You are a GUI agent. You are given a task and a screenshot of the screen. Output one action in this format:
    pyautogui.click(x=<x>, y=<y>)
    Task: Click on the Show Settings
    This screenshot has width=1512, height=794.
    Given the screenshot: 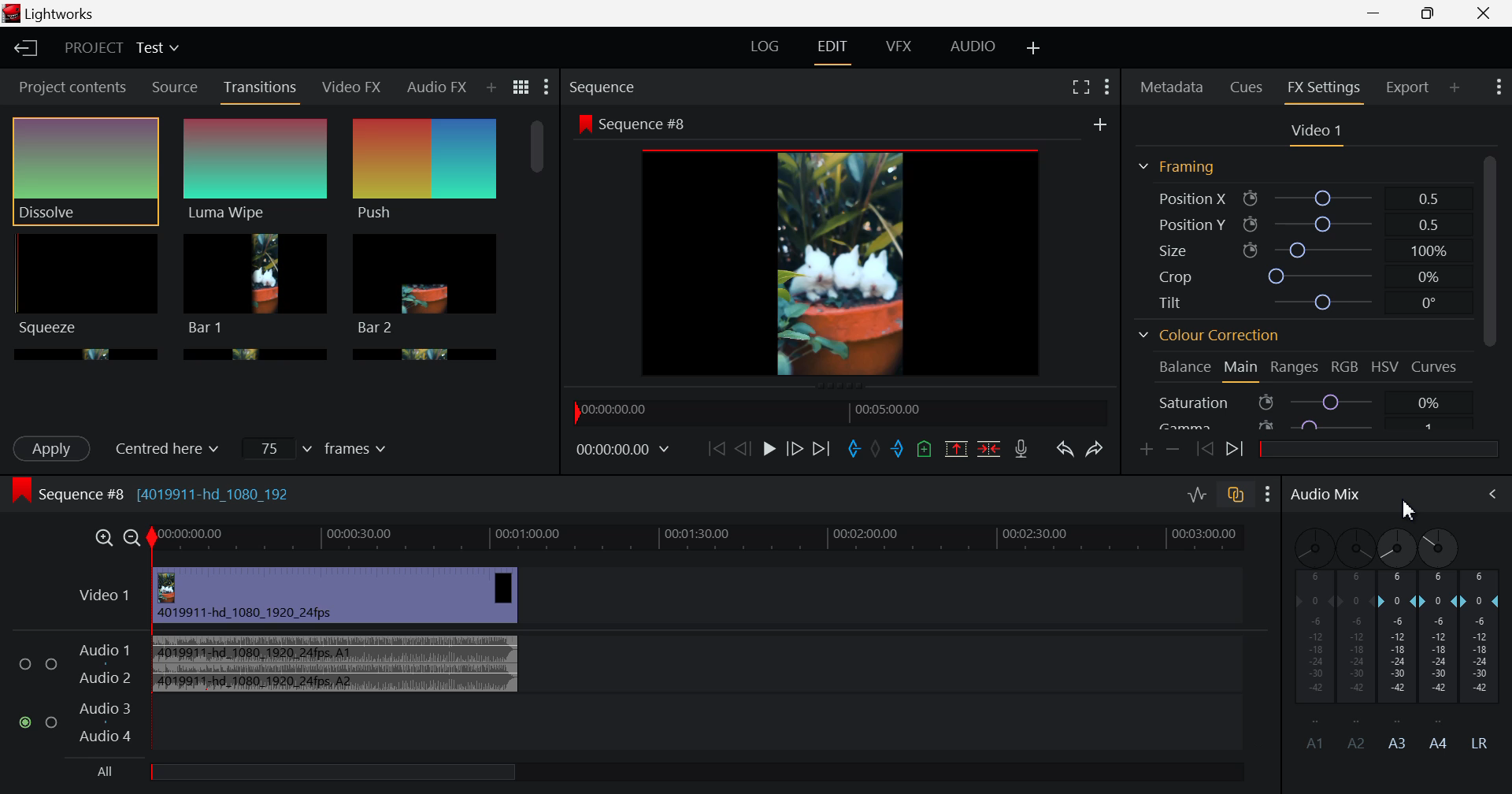 What is the action you would take?
    pyautogui.click(x=1268, y=496)
    